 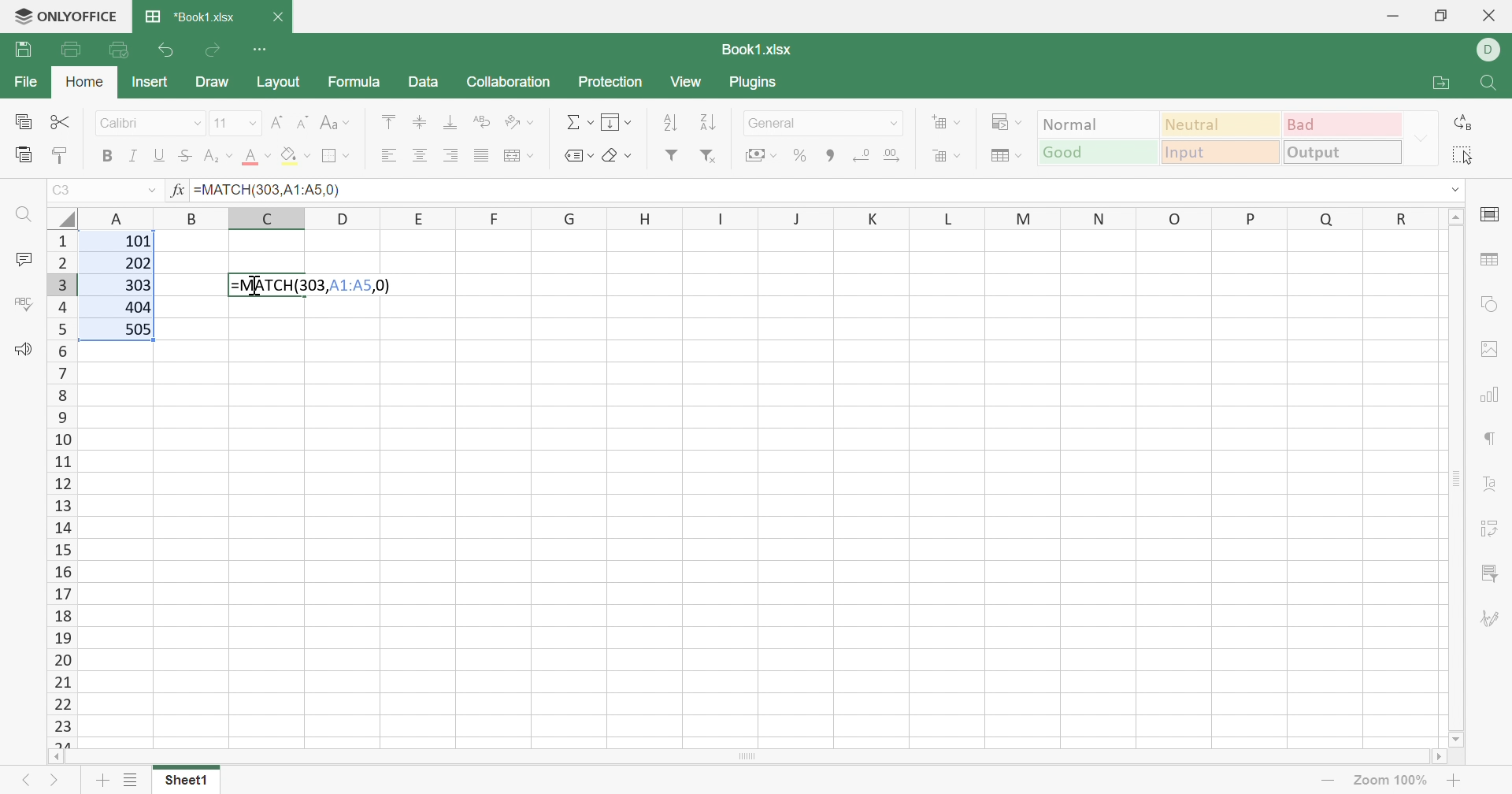 I want to click on =MATCH(303,A1:A5,0), so click(x=313, y=287).